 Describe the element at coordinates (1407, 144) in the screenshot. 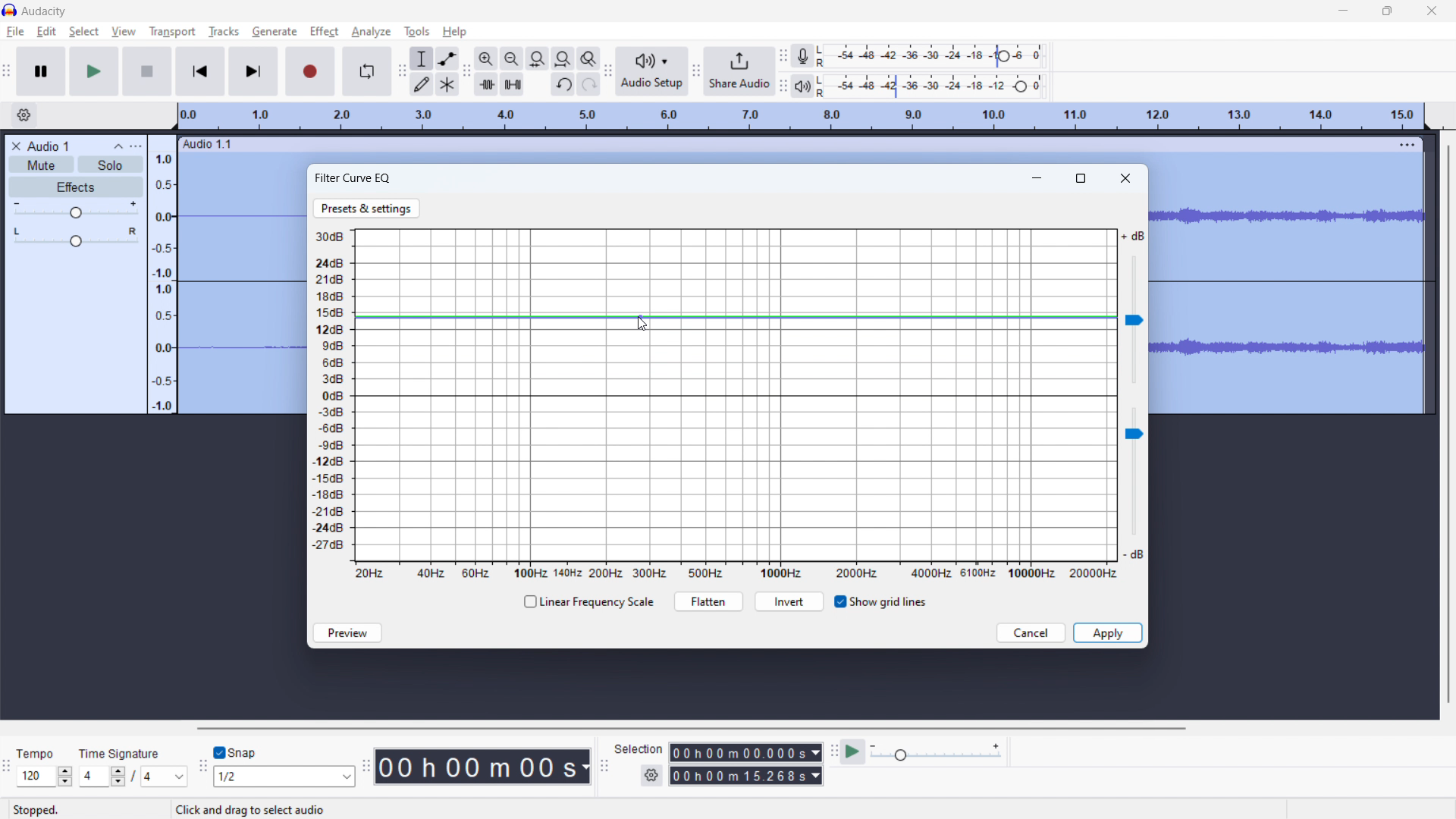

I see `menu` at that location.